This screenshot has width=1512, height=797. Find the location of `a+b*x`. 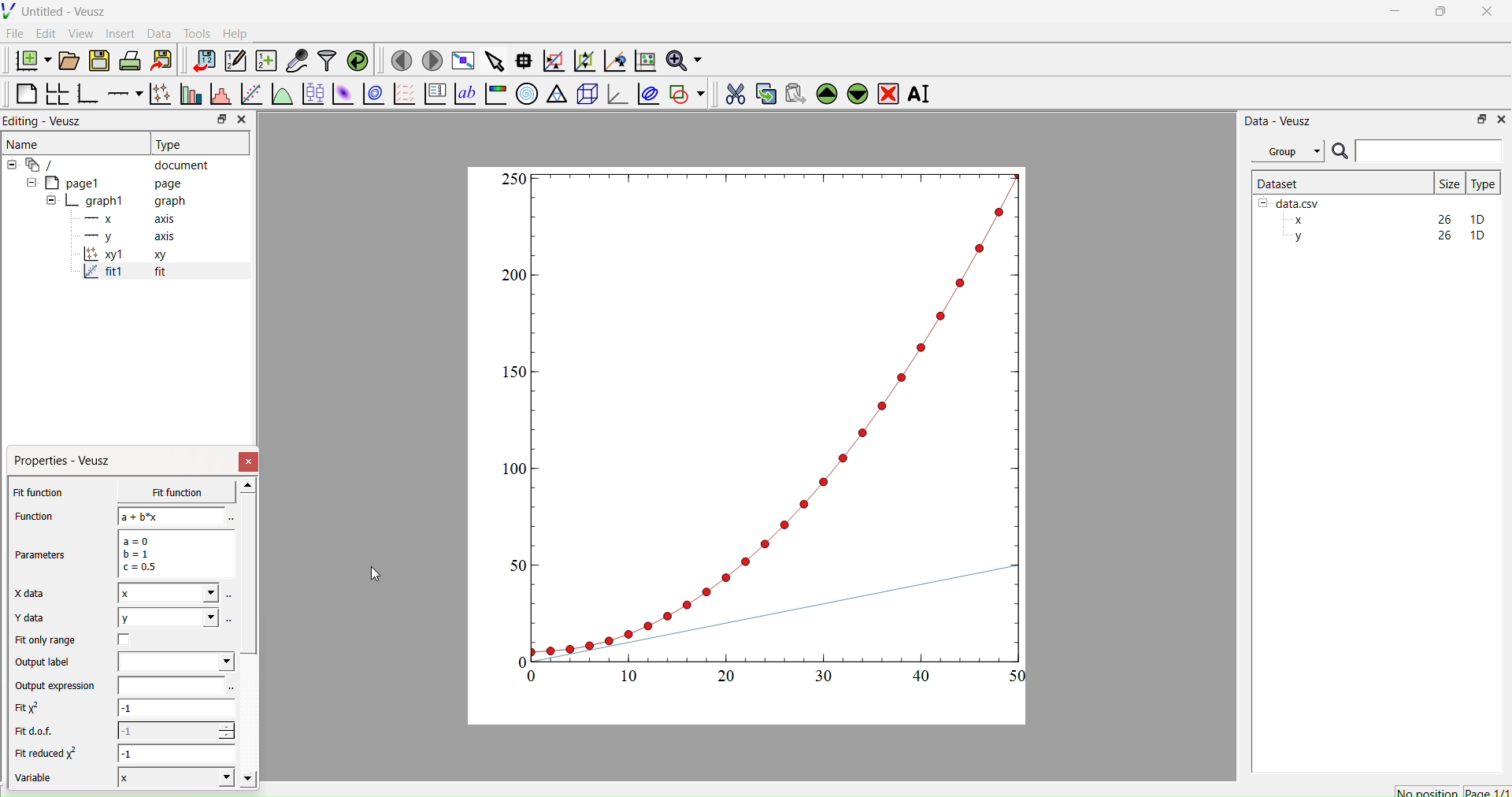

a+b*x is located at coordinates (172, 516).